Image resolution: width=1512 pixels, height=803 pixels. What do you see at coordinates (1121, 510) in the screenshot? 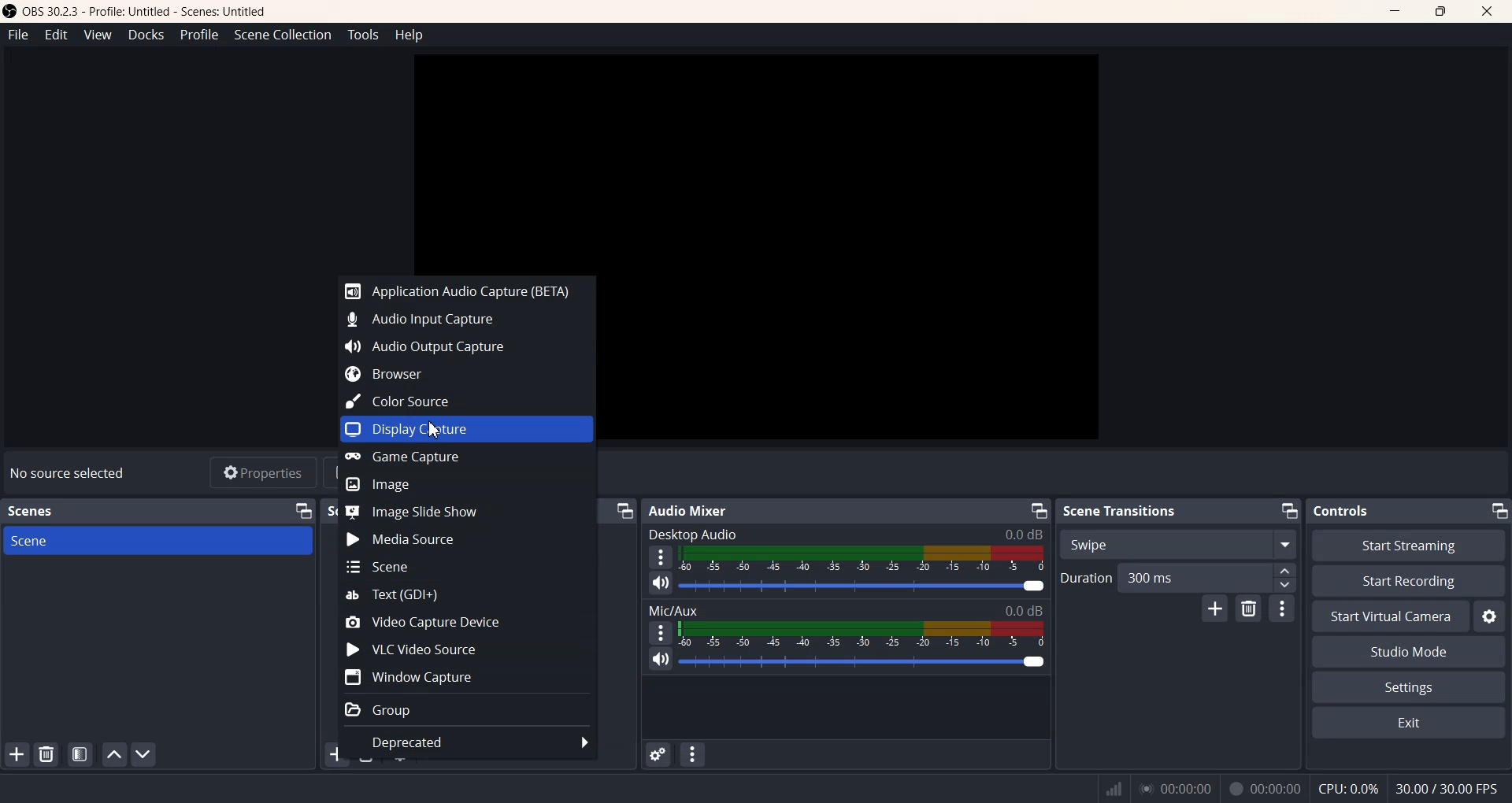
I see `Scene Transitions` at bounding box center [1121, 510].